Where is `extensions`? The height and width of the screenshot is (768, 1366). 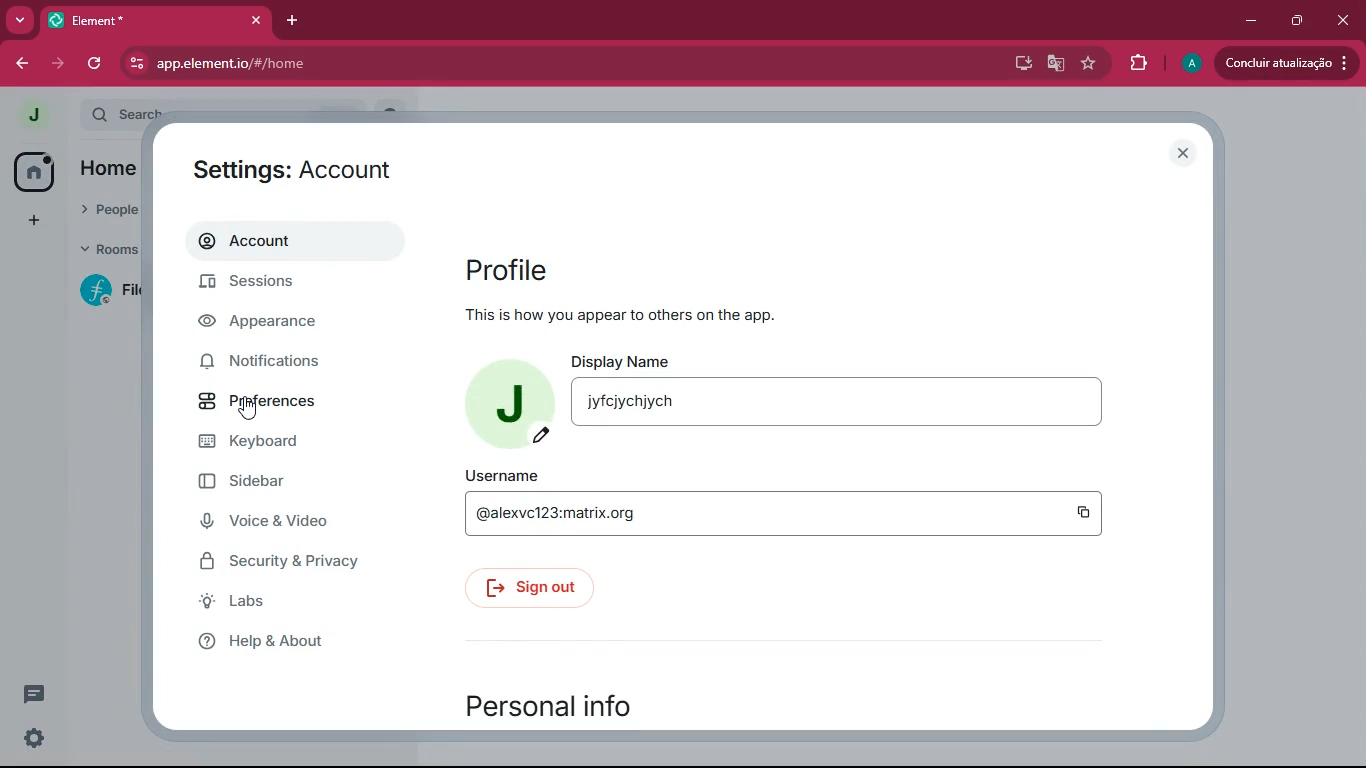
extensions is located at coordinates (1135, 64).